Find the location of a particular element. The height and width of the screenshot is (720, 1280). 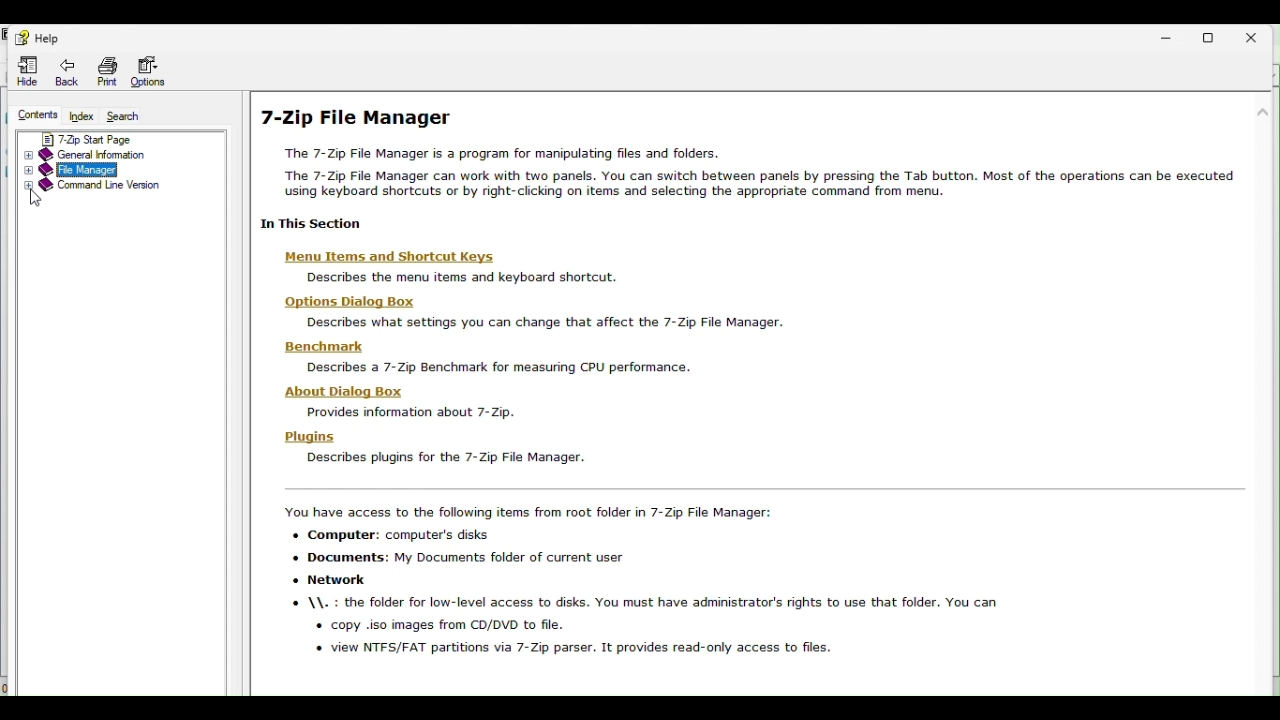

Describes a 7-Zip Benchmark for measuring CPU performance. is located at coordinates (499, 368).